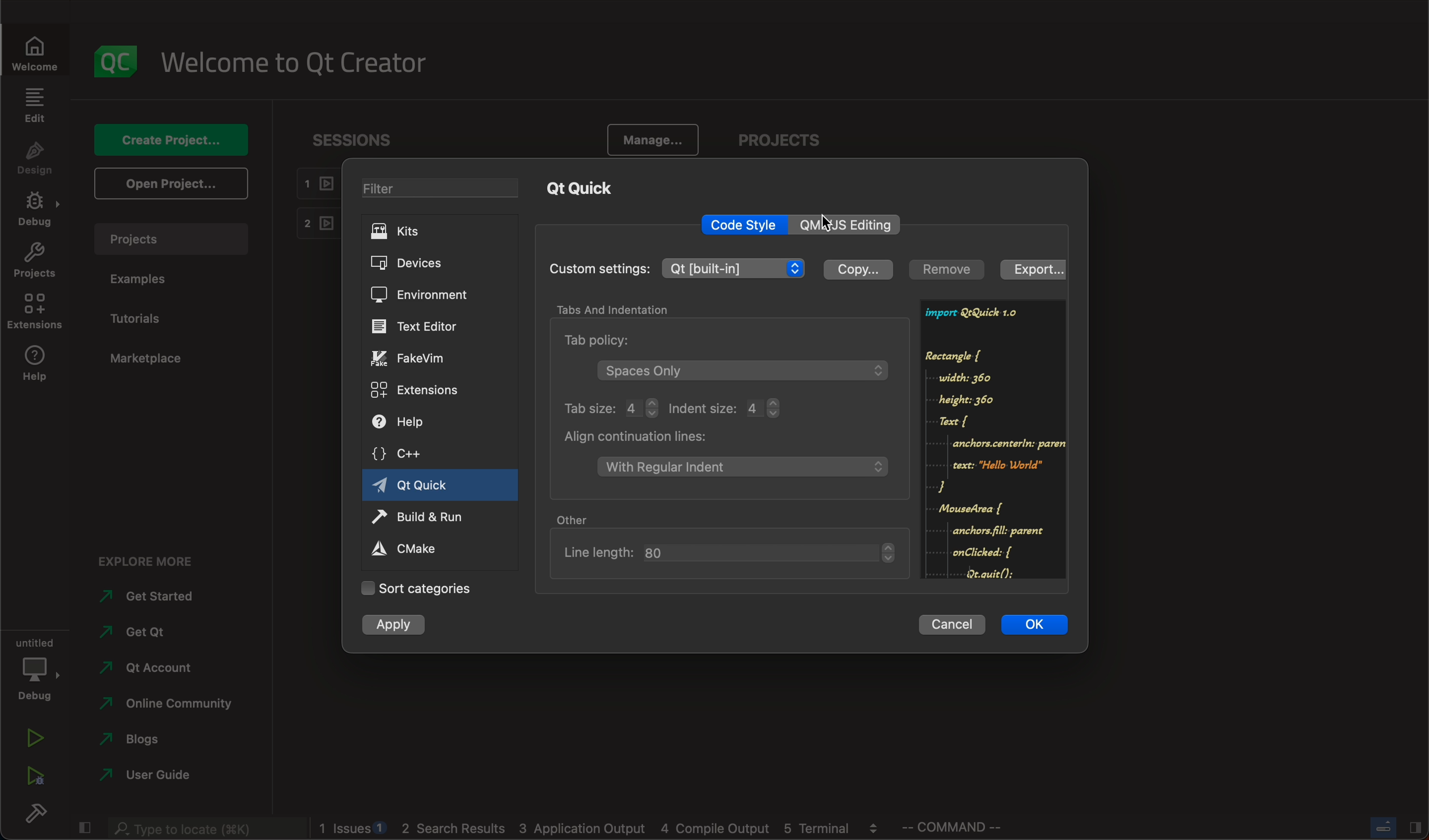 This screenshot has width=1429, height=840. I want to click on debug, so click(36, 667).